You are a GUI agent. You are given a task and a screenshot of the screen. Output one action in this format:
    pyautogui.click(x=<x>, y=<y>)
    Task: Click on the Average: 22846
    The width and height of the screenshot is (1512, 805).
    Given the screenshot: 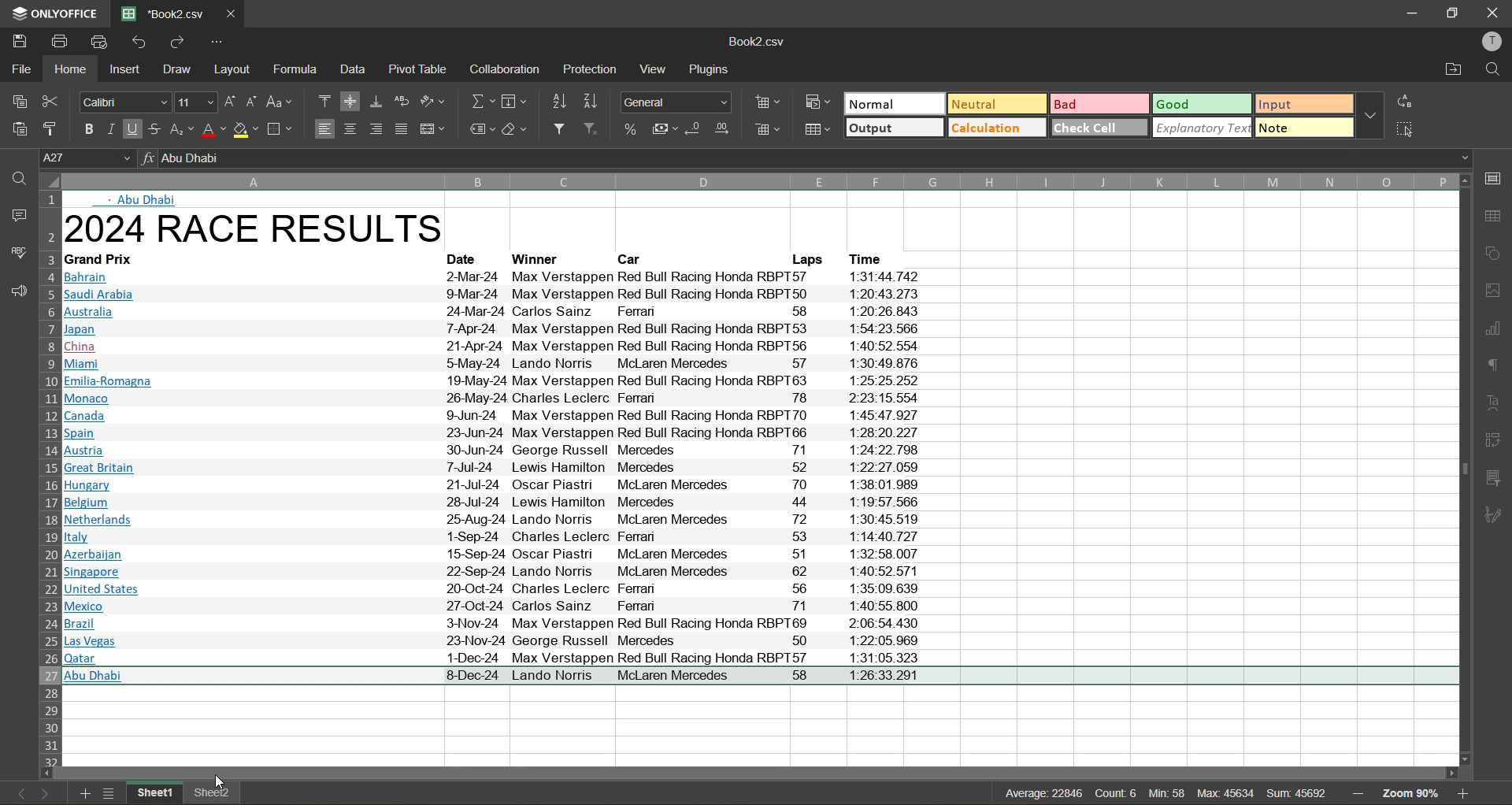 What is the action you would take?
    pyautogui.click(x=1002, y=791)
    